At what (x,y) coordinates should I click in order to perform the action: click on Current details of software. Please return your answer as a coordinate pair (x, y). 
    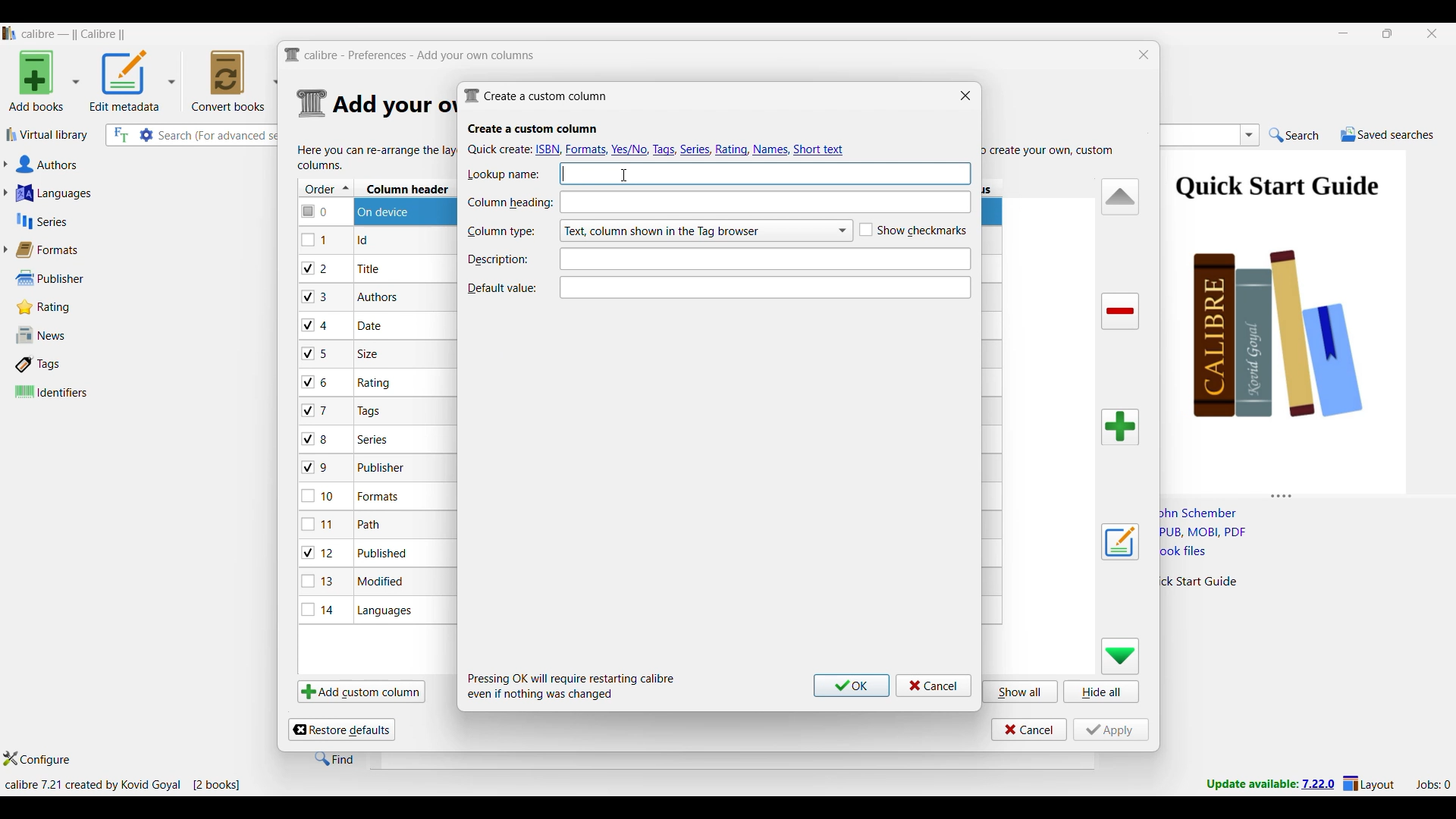
    Looking at the image, I should click on (122, 785).